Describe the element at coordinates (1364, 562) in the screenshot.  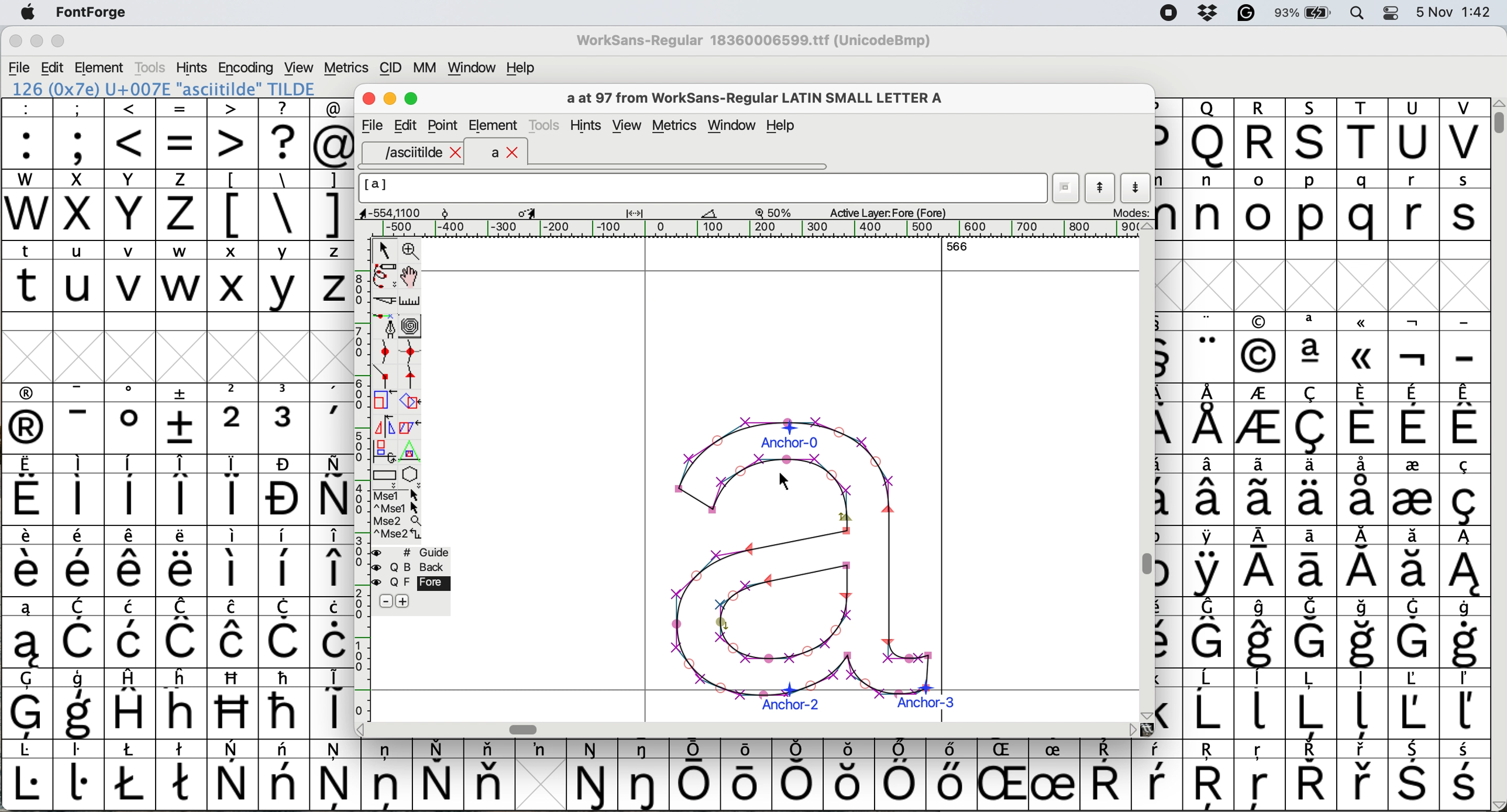
I see `symbol` at that location.